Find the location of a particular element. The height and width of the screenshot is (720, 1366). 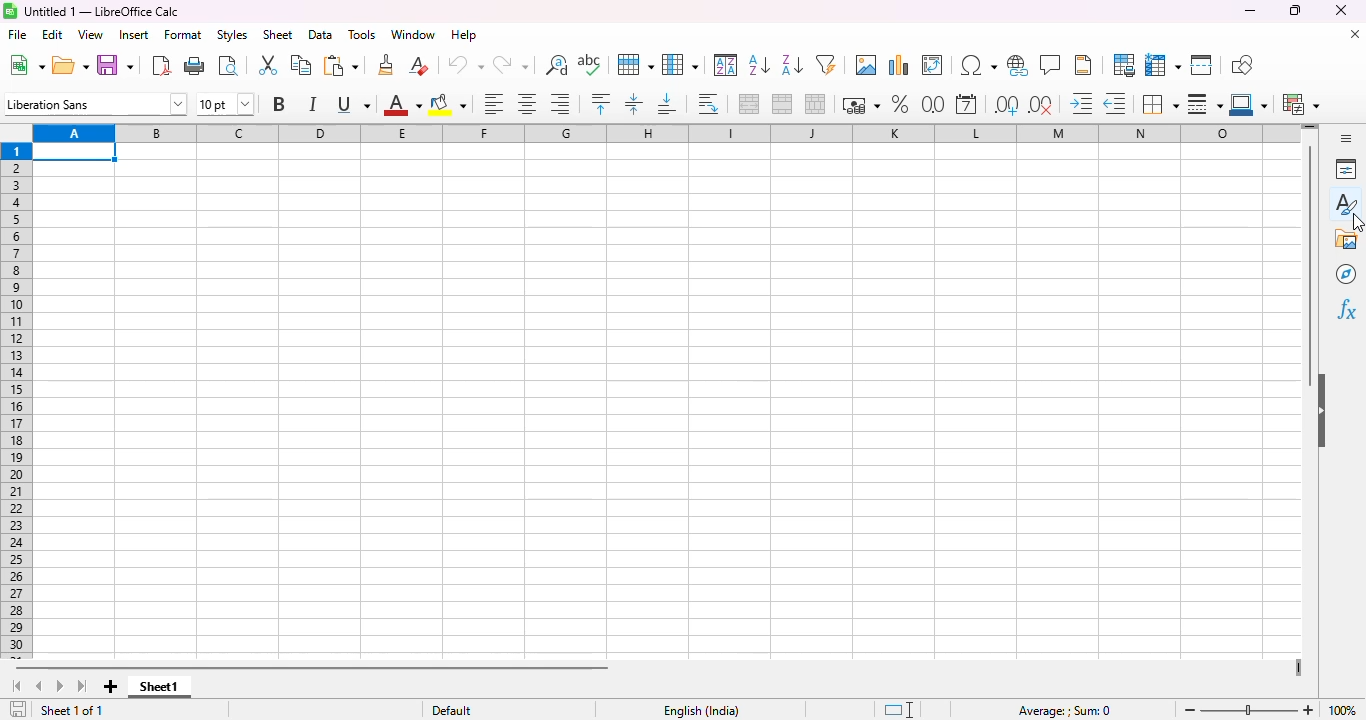

close document is located at coordinates (1354, 33).